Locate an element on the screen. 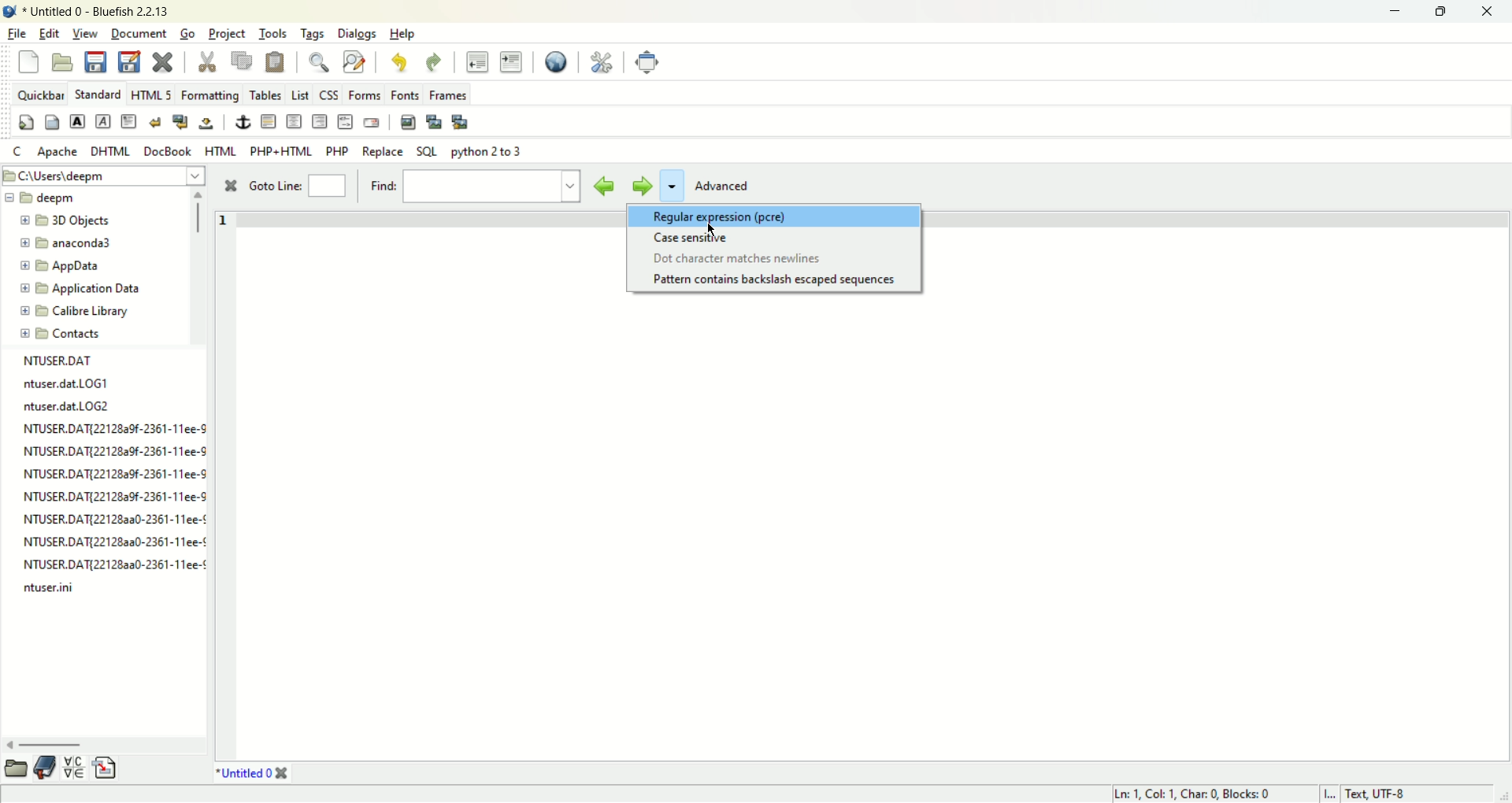 This screenshot has width=1512, height=803. paste is located at coordinates (275, 61).